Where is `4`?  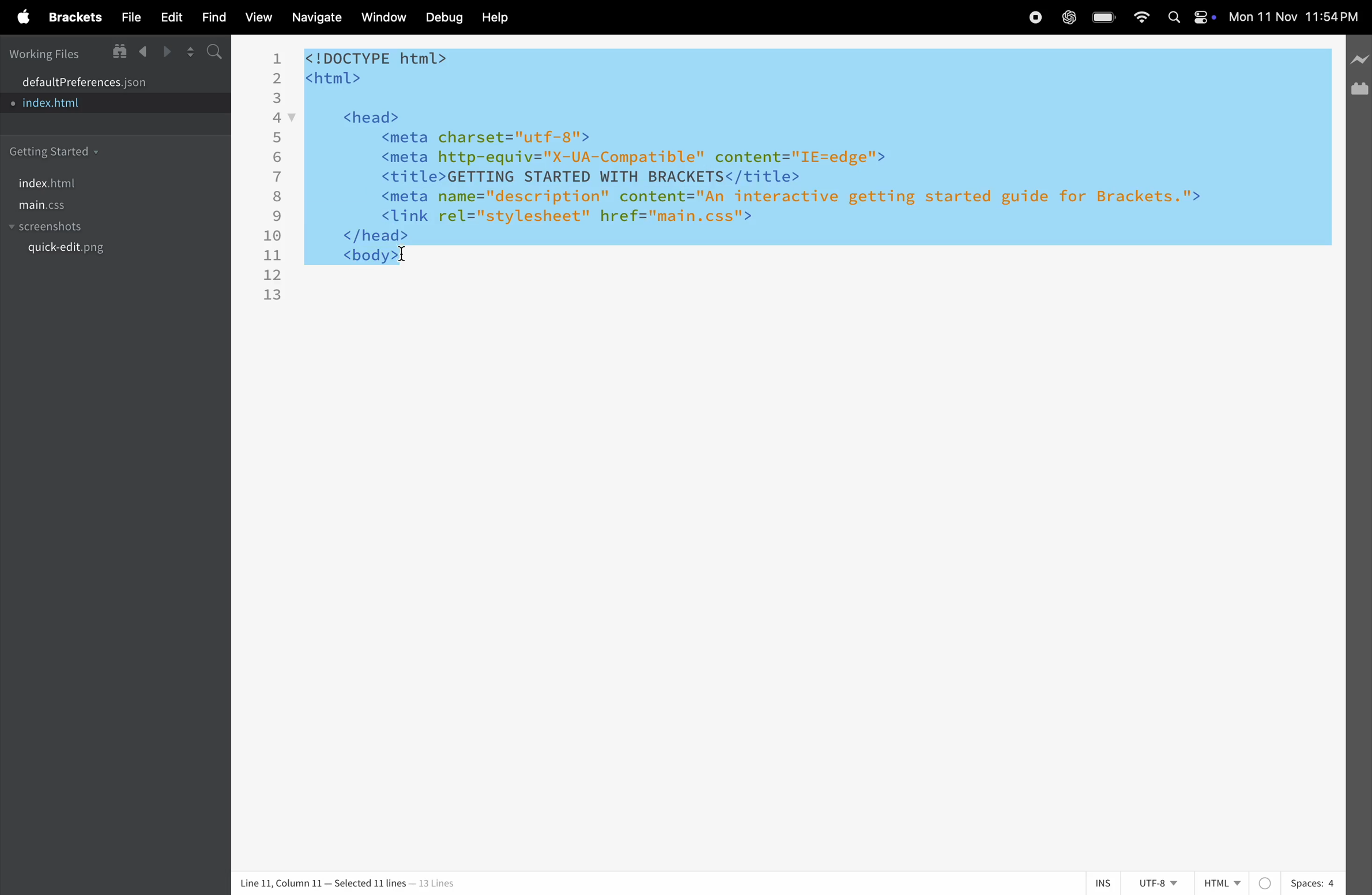 4 is located at coordinates (276, 119).